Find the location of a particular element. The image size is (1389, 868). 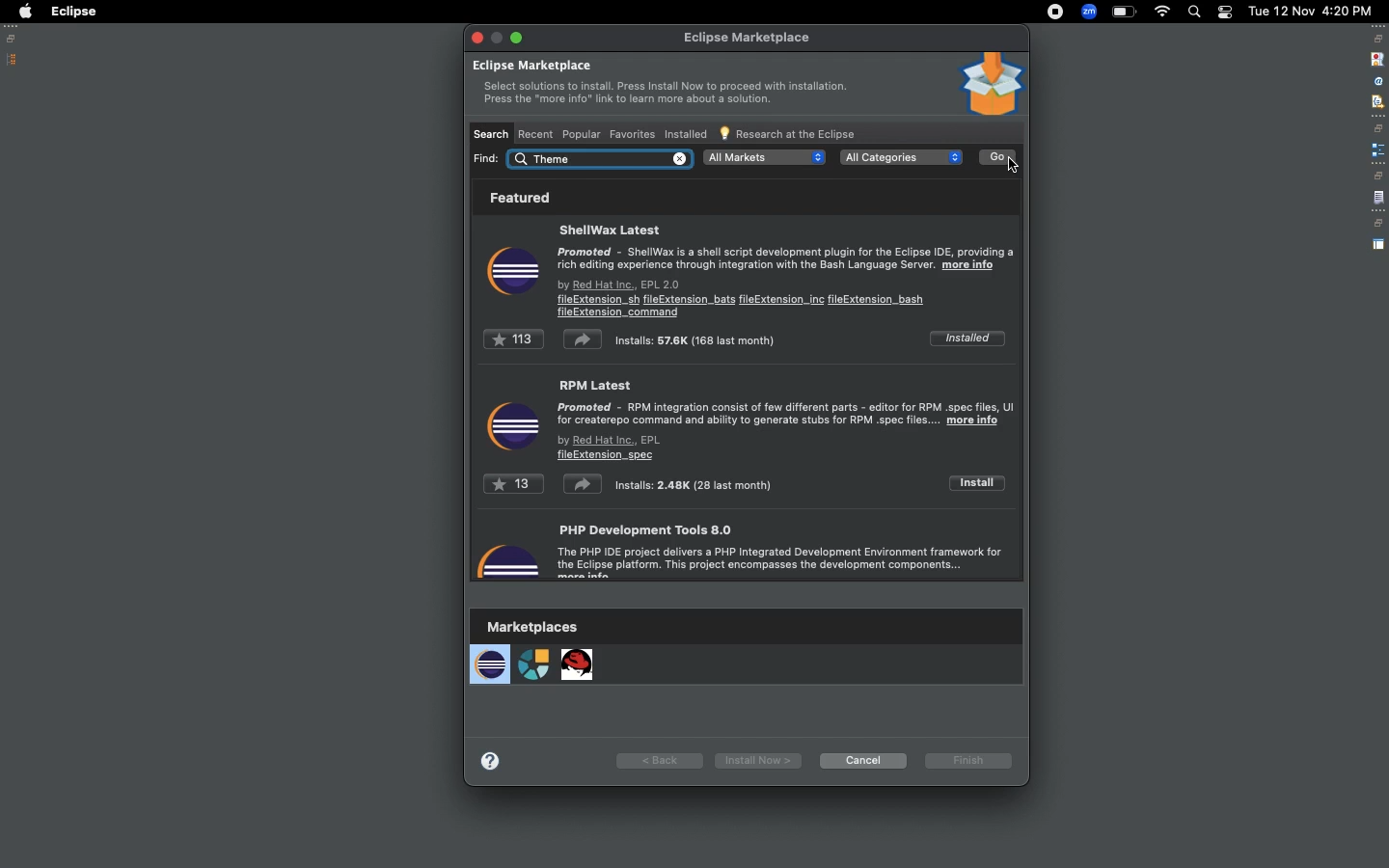

all markets is located at coordinates (765, 157).